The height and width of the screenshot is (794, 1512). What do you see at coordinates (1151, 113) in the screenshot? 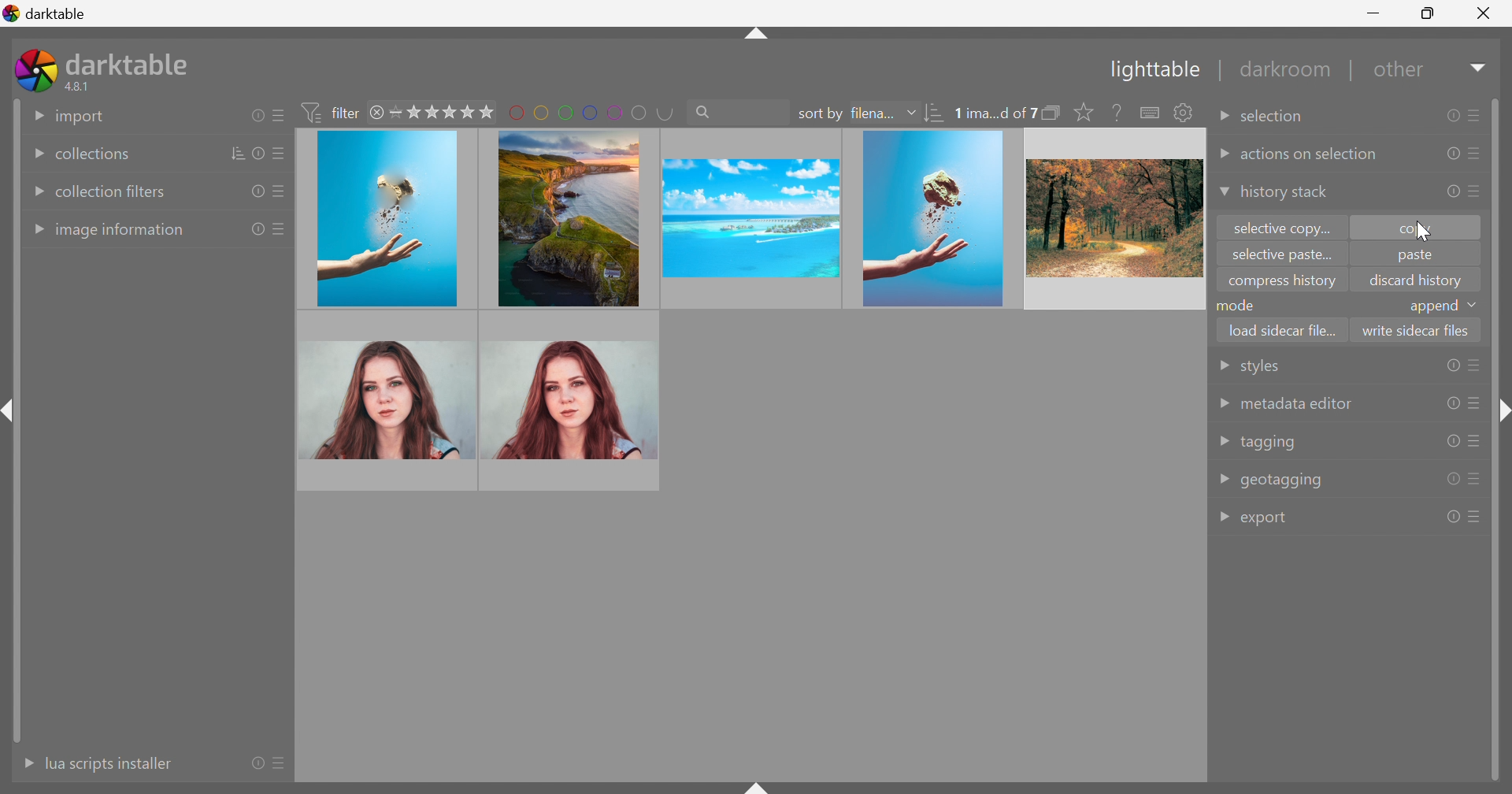
I see `define shortcuts` at bounding box center [1151, 113].